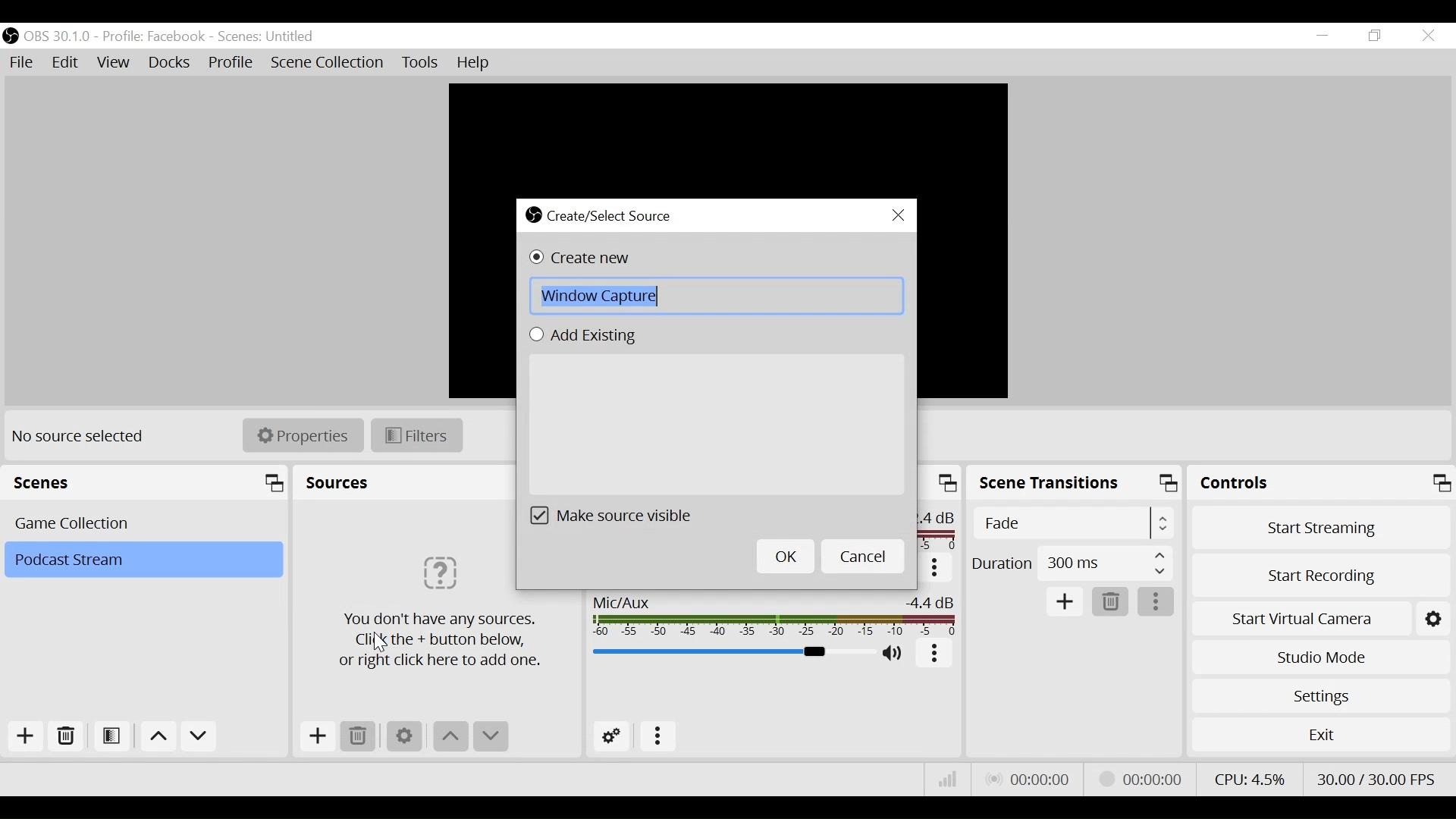  I want to click on Start Recording, so click(1318, 574).